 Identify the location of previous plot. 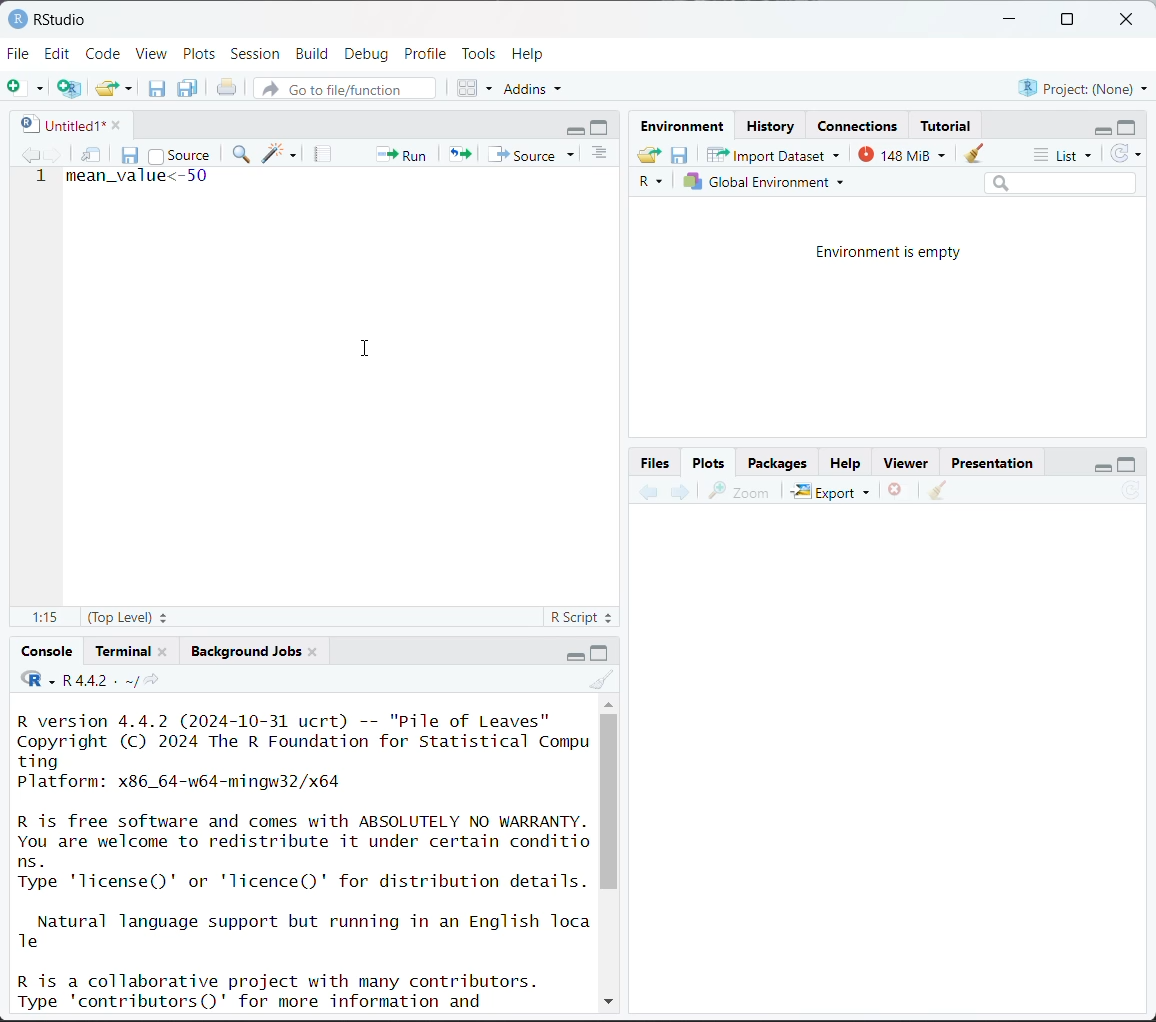
(649, 493).